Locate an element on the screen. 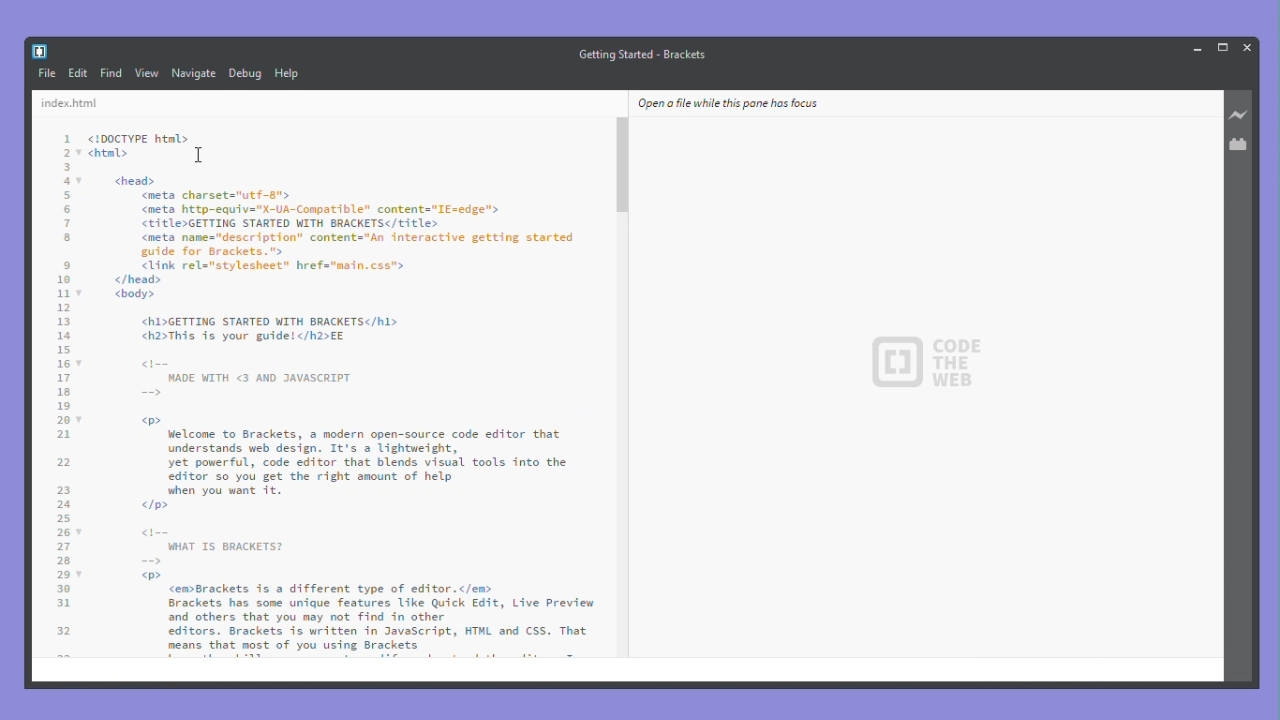 The image size is (1280, 720). 17 is located at coordinates (63, 379).